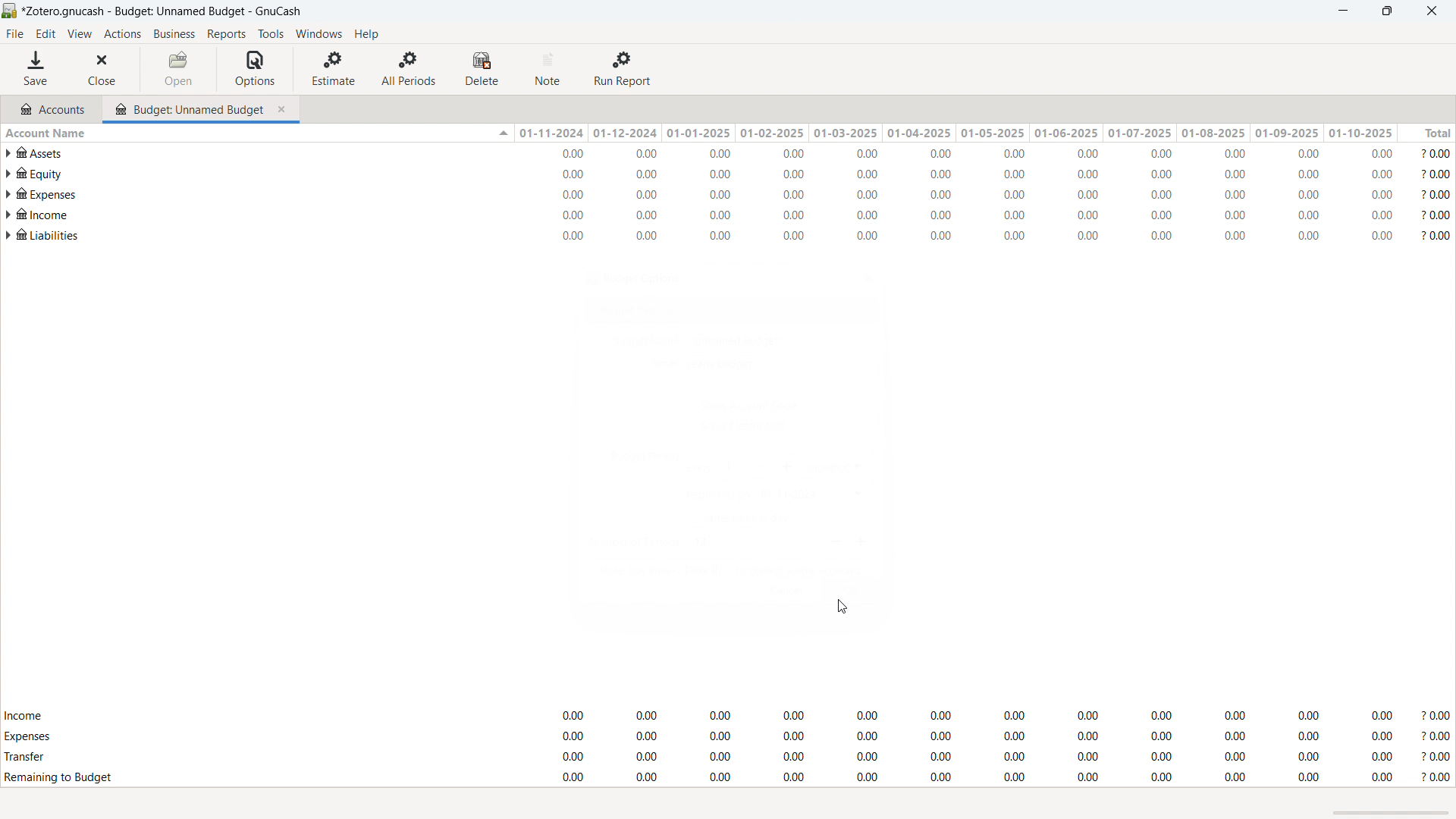  I want to click on estimate, so click(335, 67).